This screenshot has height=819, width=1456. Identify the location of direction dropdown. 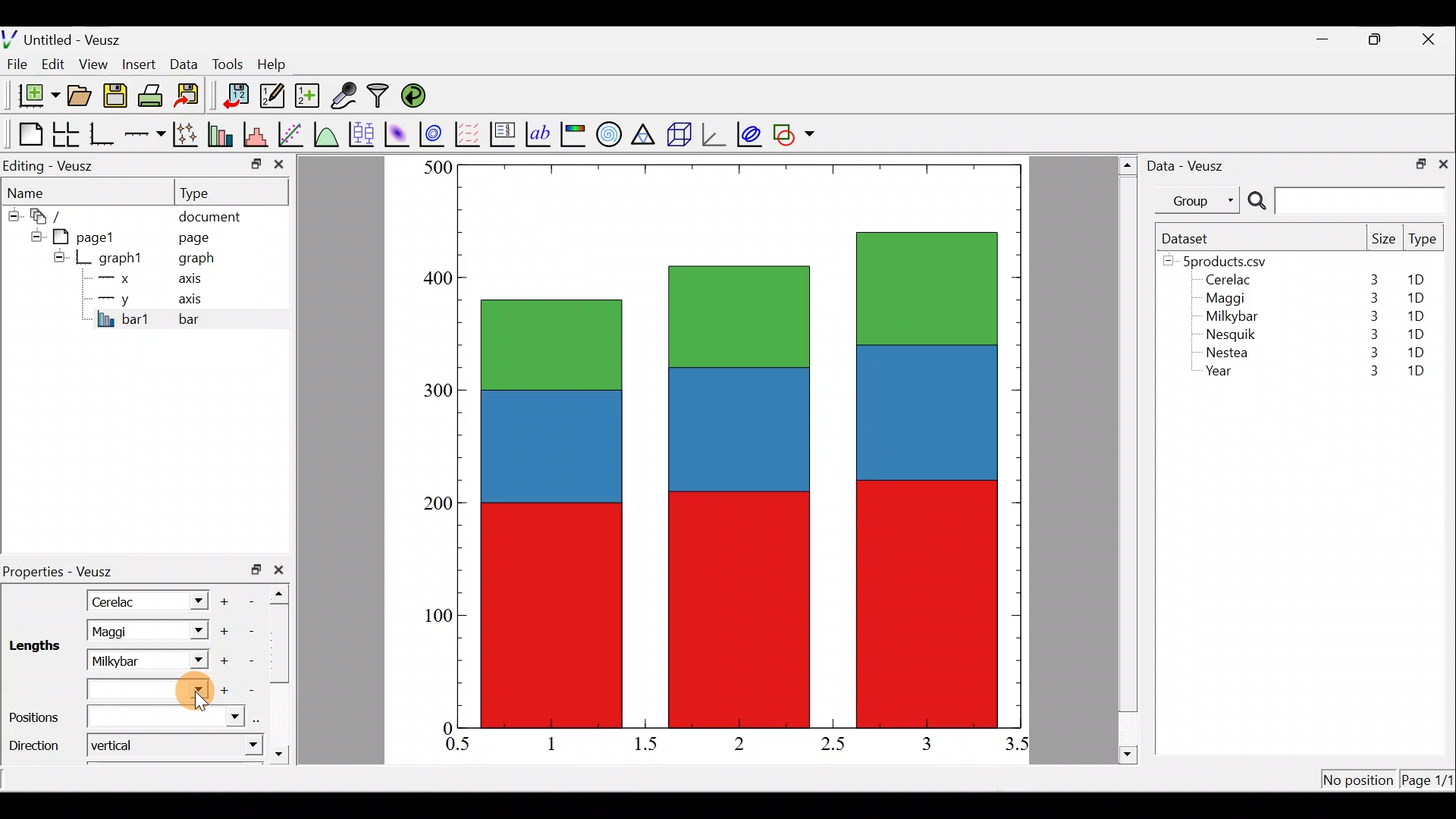
(237, 745).